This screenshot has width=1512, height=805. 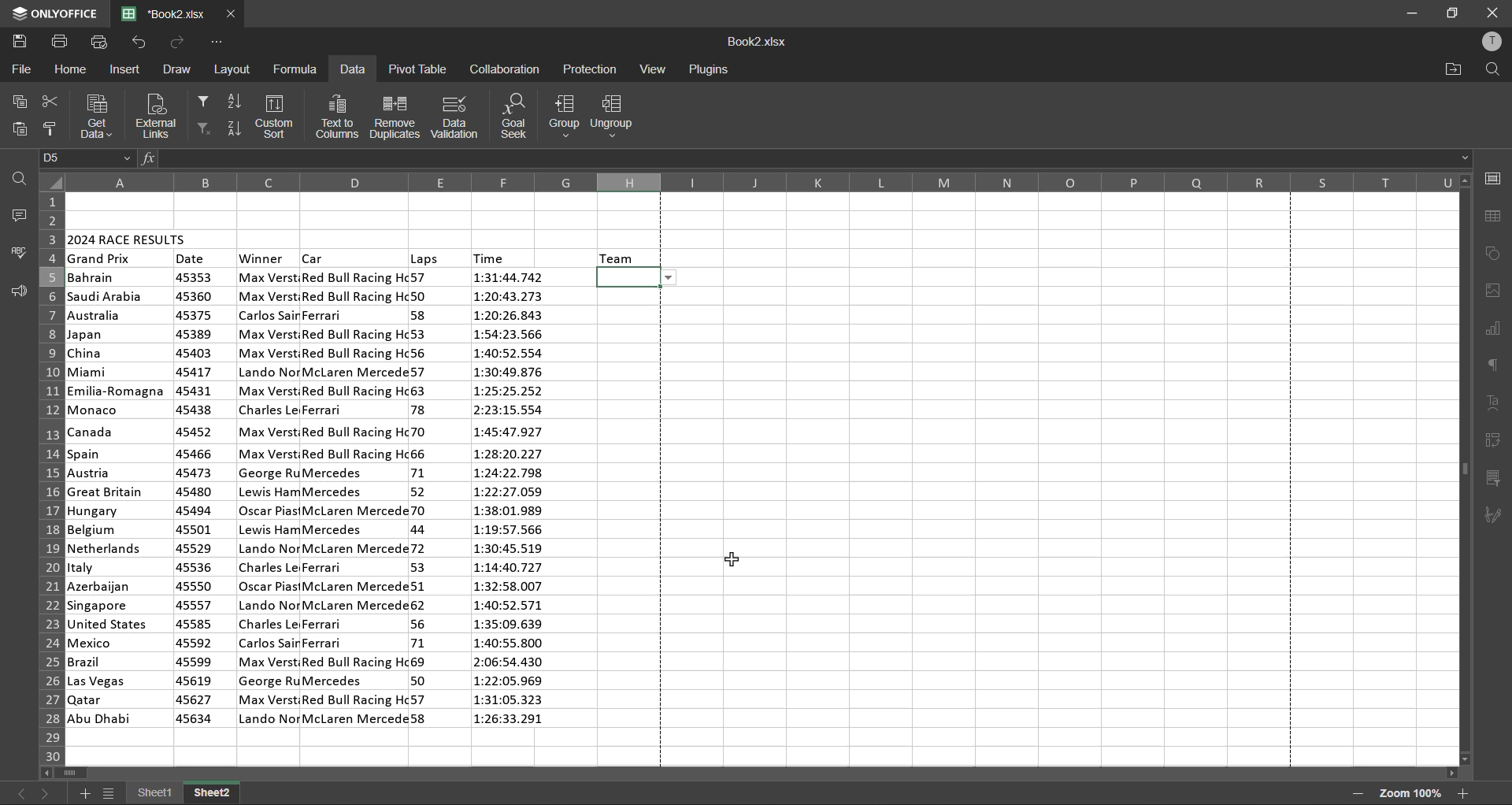 What do you see at coordinates (1494, 291) in the screenshot?
I see `images` at bounding box center [1494, 291].